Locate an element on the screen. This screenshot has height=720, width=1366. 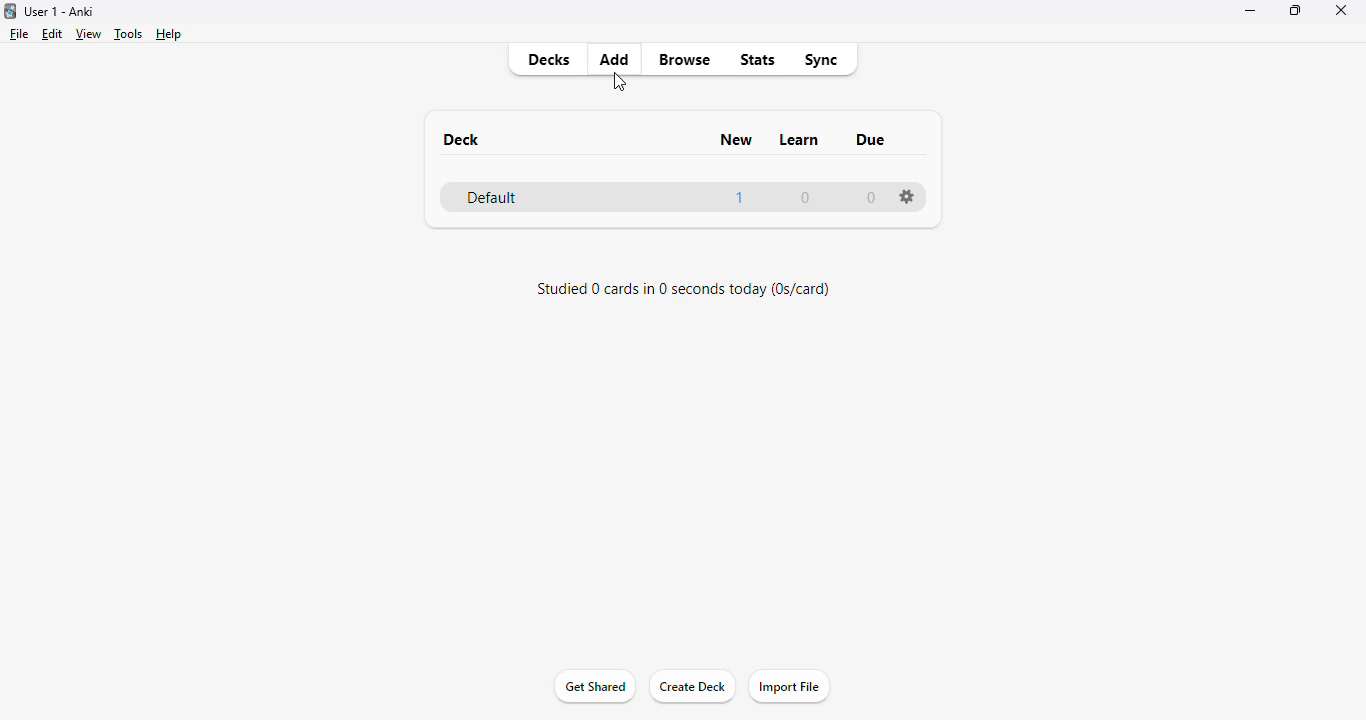
file is located at coordinates (19, 34).